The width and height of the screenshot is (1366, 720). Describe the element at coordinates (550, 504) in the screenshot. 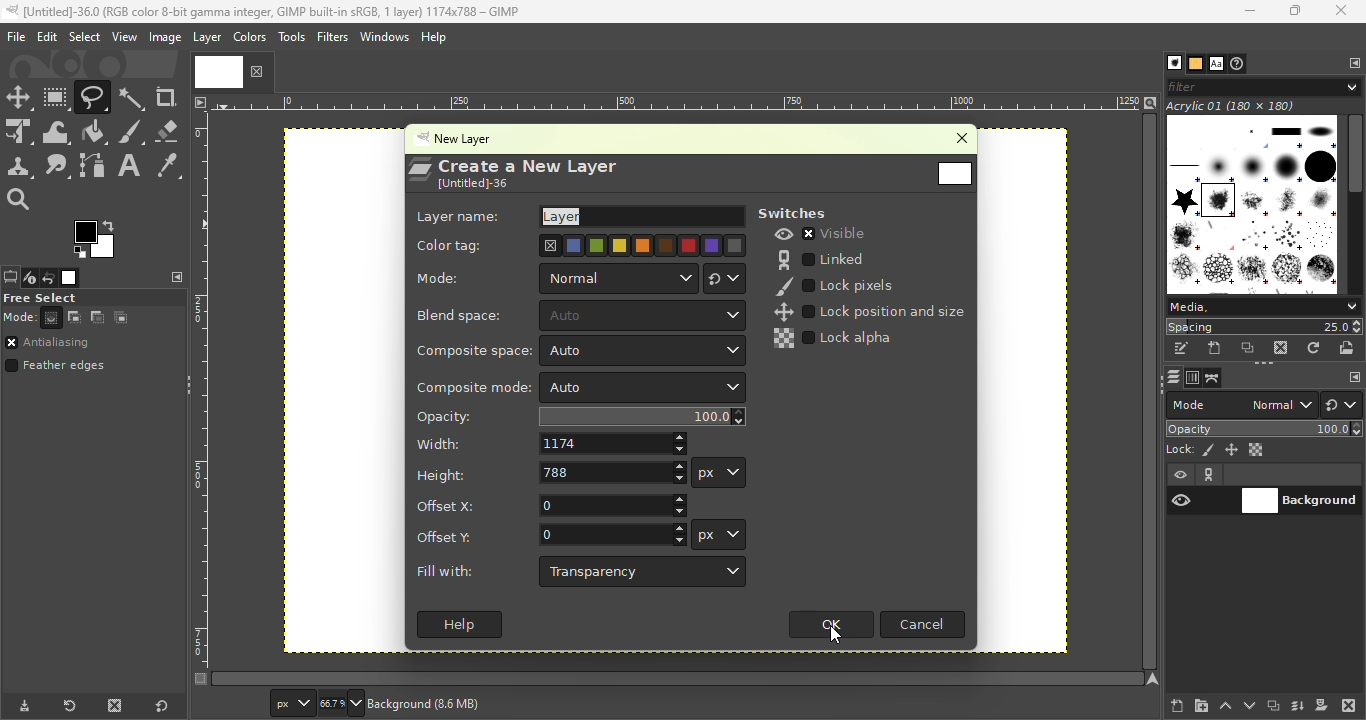

I see `Offset X` at that location.